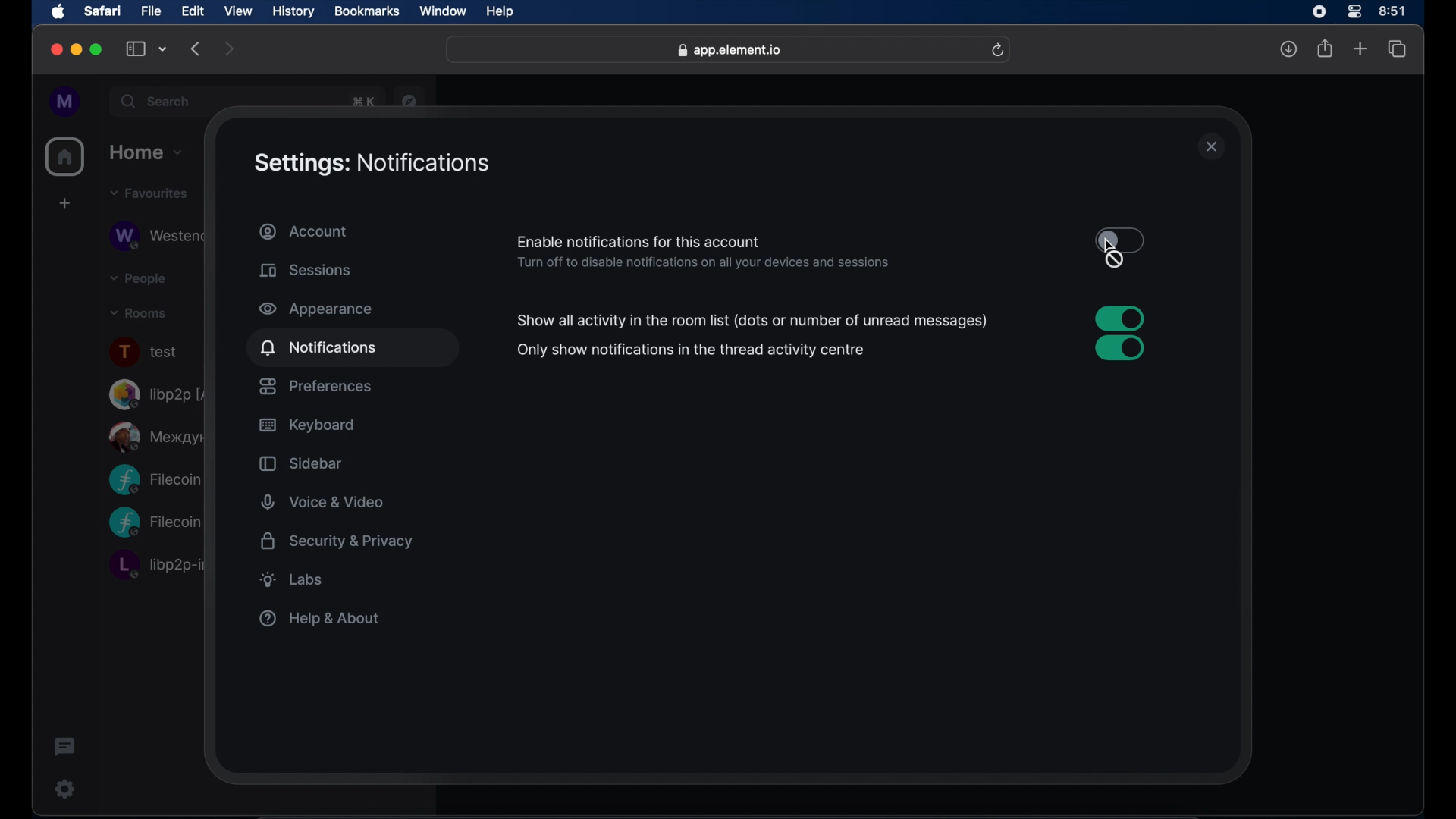 Image resolution: width=1456 pixels, height=819 pixels. Describe the element at coordinates (1360, 49) in the screenshot. I see `new tab` at that location.